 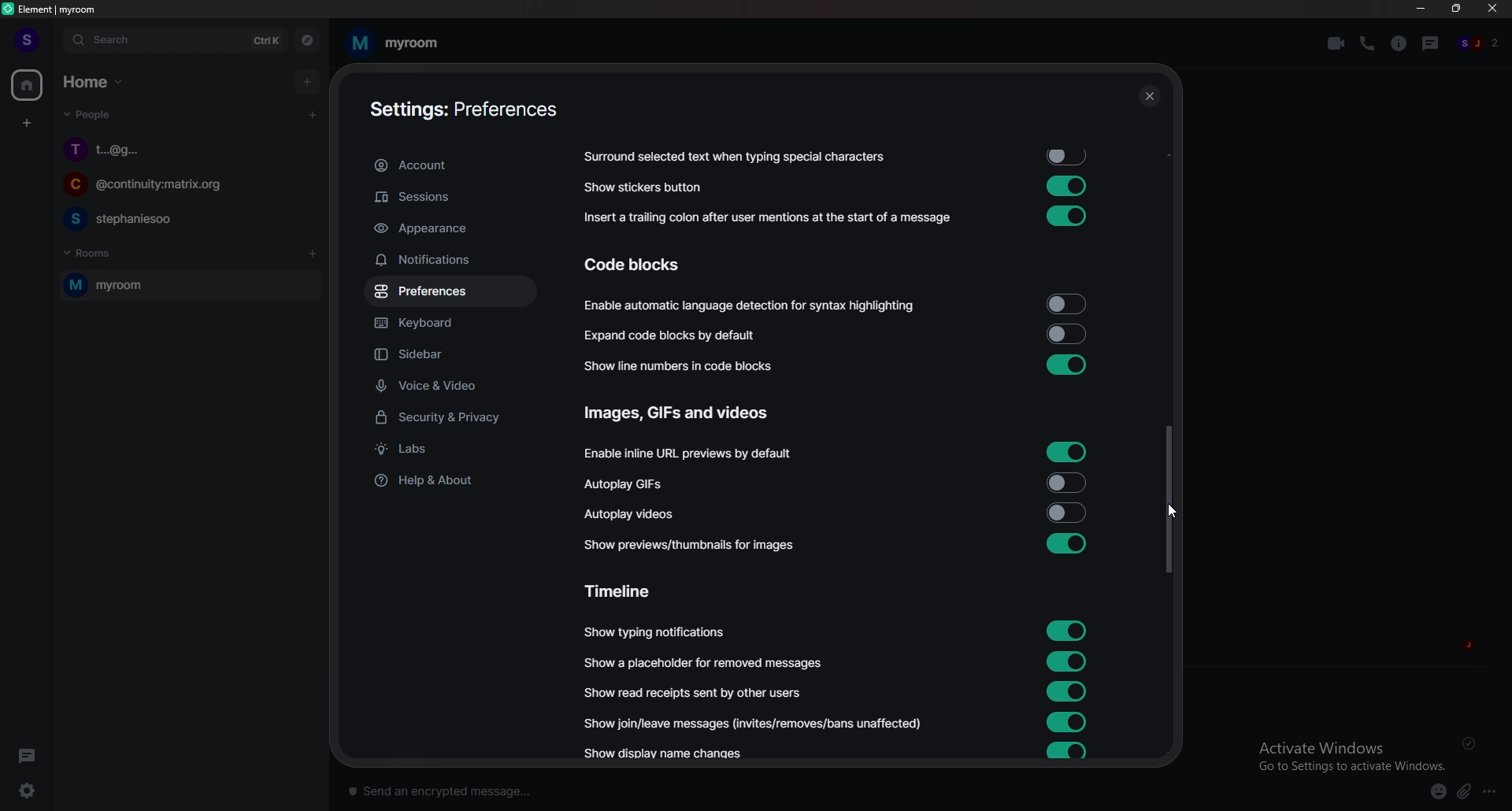 I want to click on explore room, so click(x=308, y=40).